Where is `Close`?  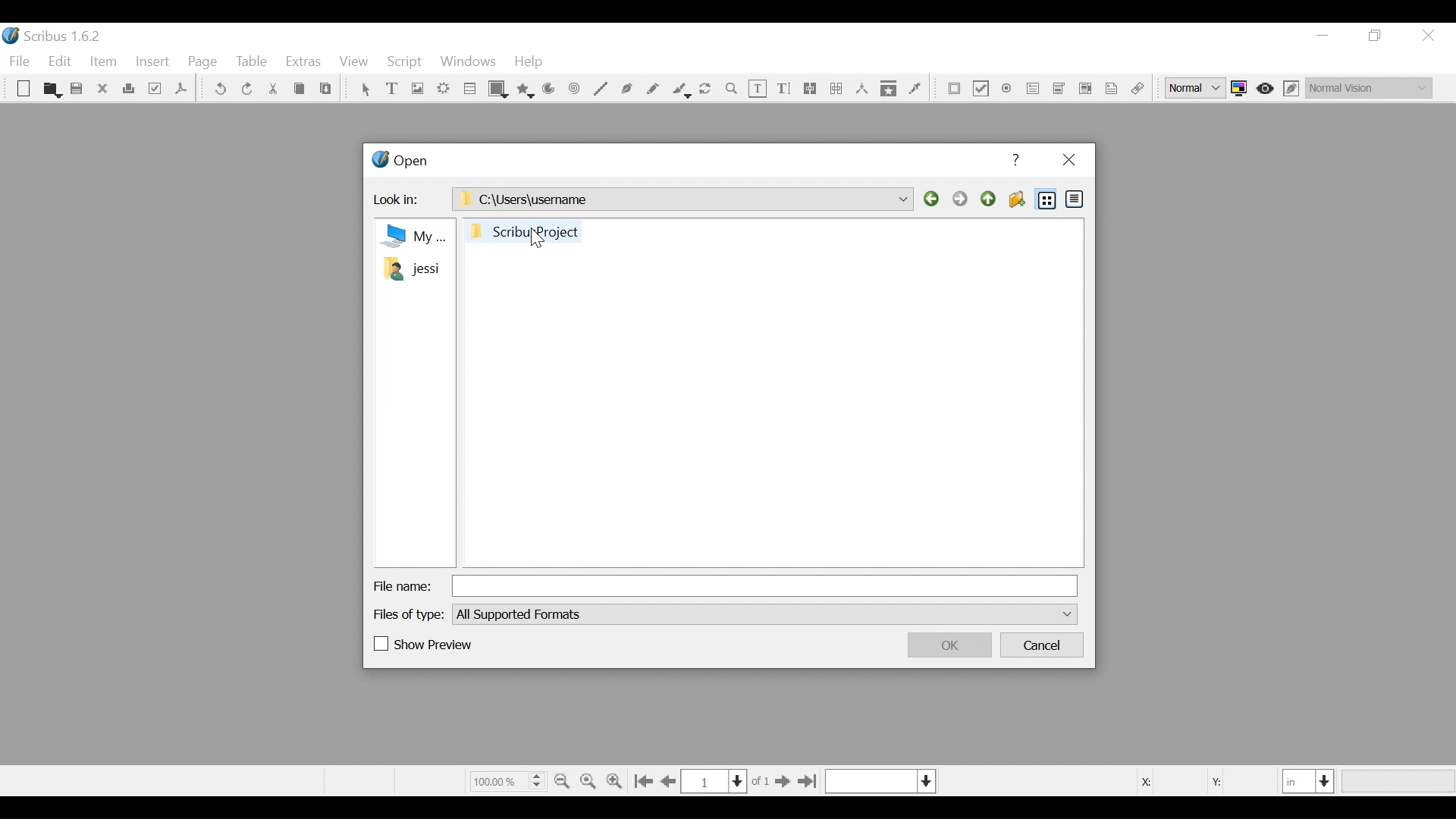
Close is located at coordinates (104, 89).